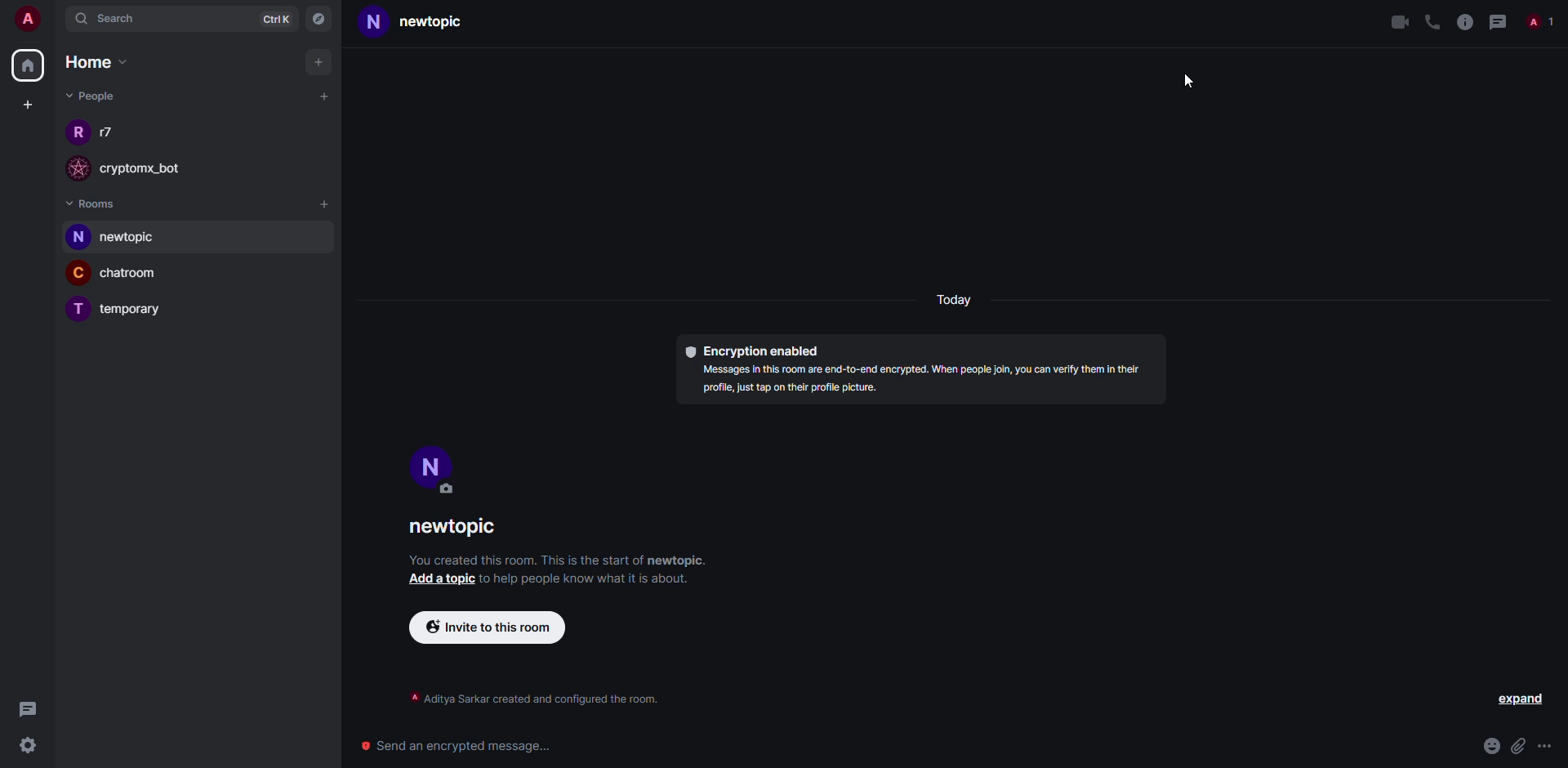 This screenshot has height=768, width=1568. What do you see at coordinates (434, 463) in the screenshot?
I see `profile` at bounding box center [434, 463].